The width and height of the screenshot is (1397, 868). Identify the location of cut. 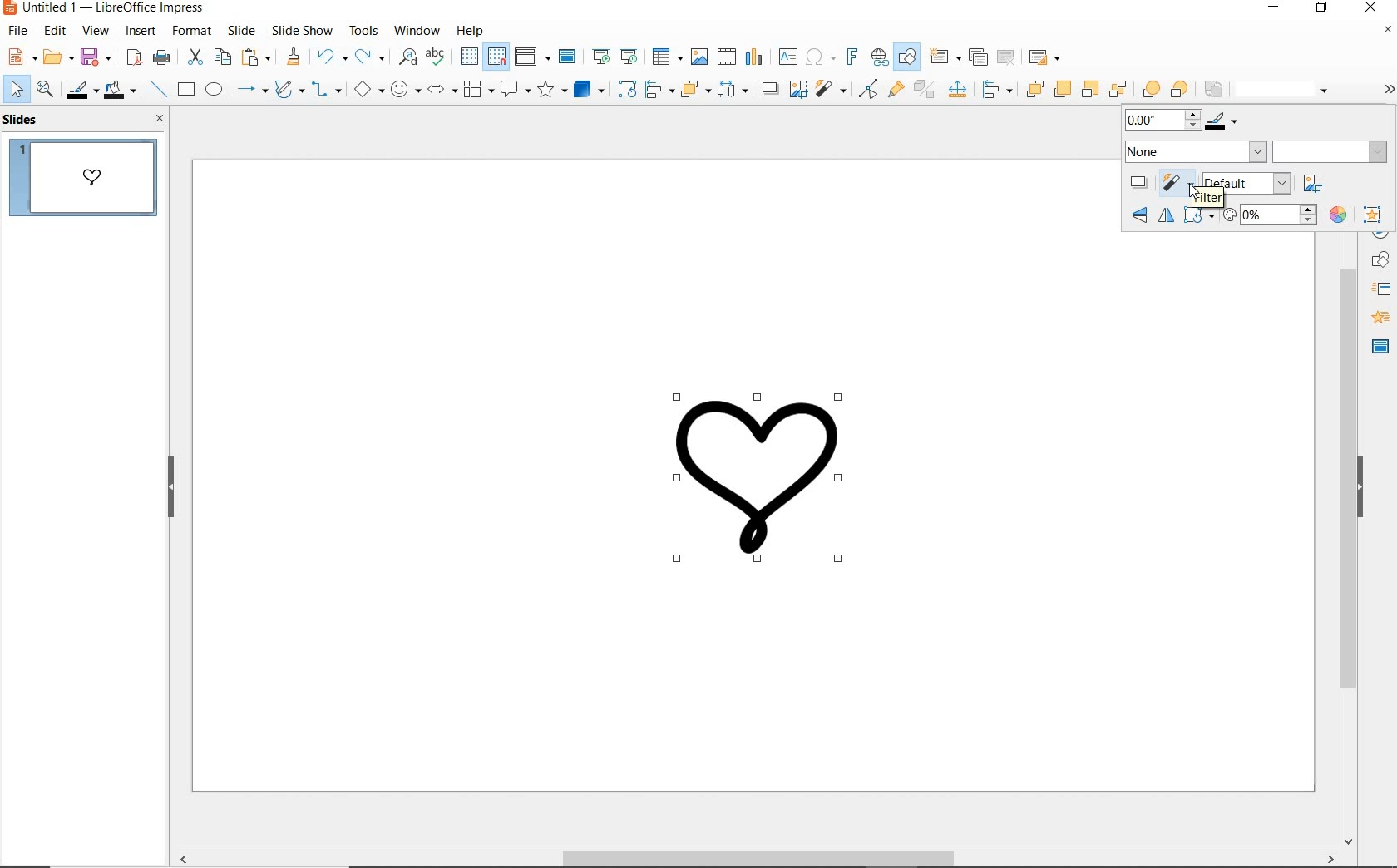
(194, 56).